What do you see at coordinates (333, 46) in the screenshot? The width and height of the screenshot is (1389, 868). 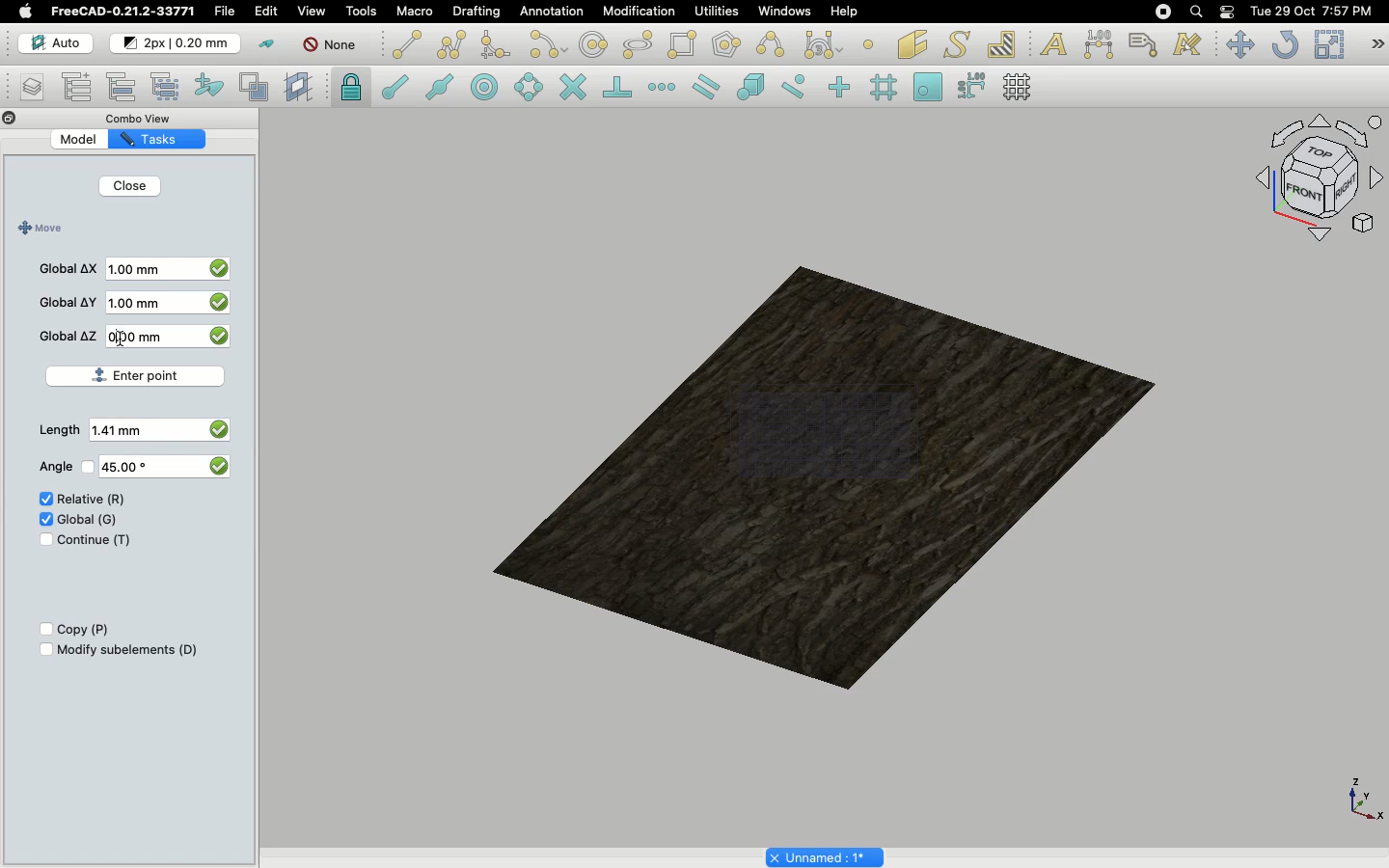 I see `Autogroup off` at bounding box center [333, 46].